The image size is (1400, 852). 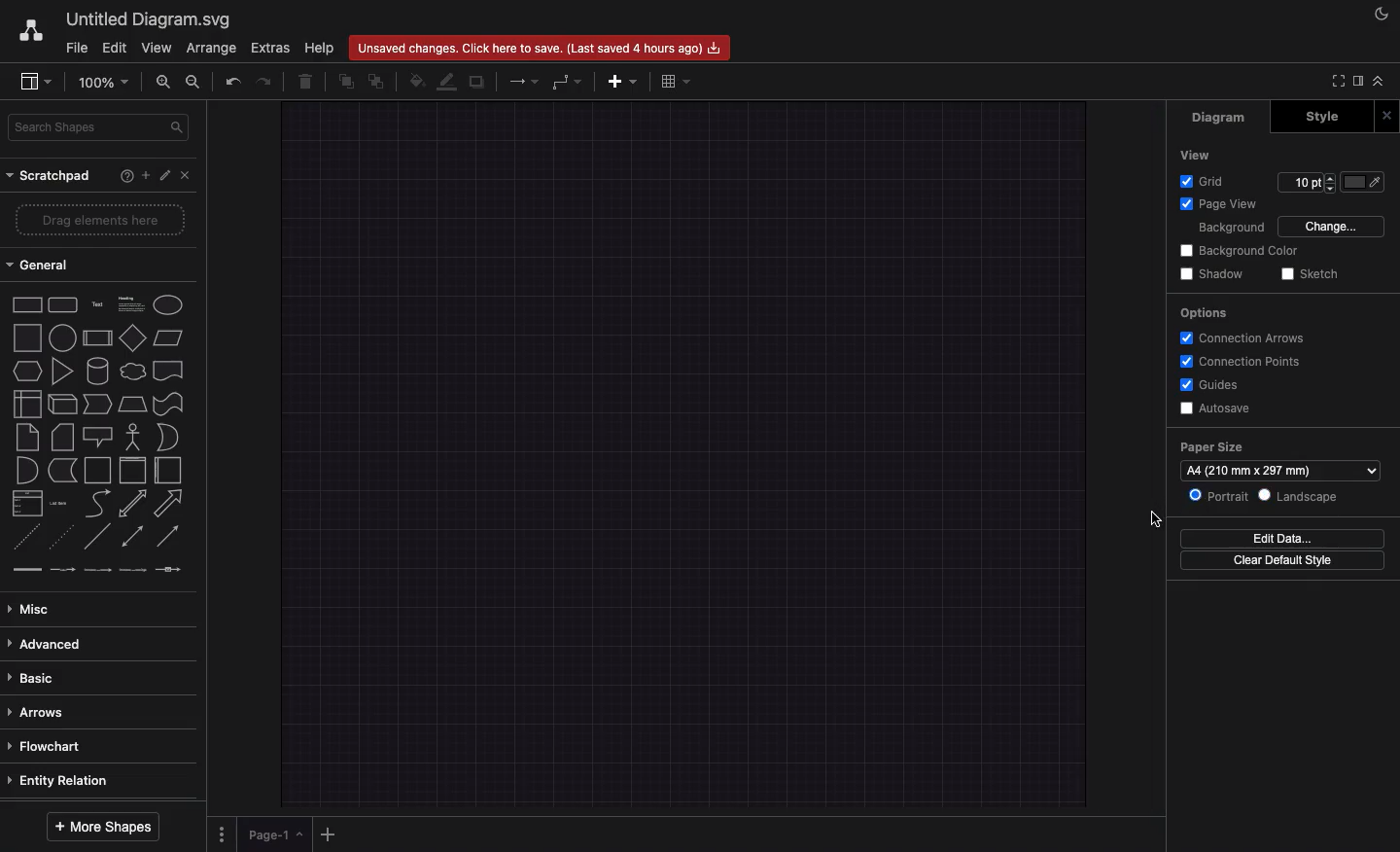 What do you see at coordinates (163, 85) in the screenshot?
I see `Zoom in` at bounding box center [163, 85].